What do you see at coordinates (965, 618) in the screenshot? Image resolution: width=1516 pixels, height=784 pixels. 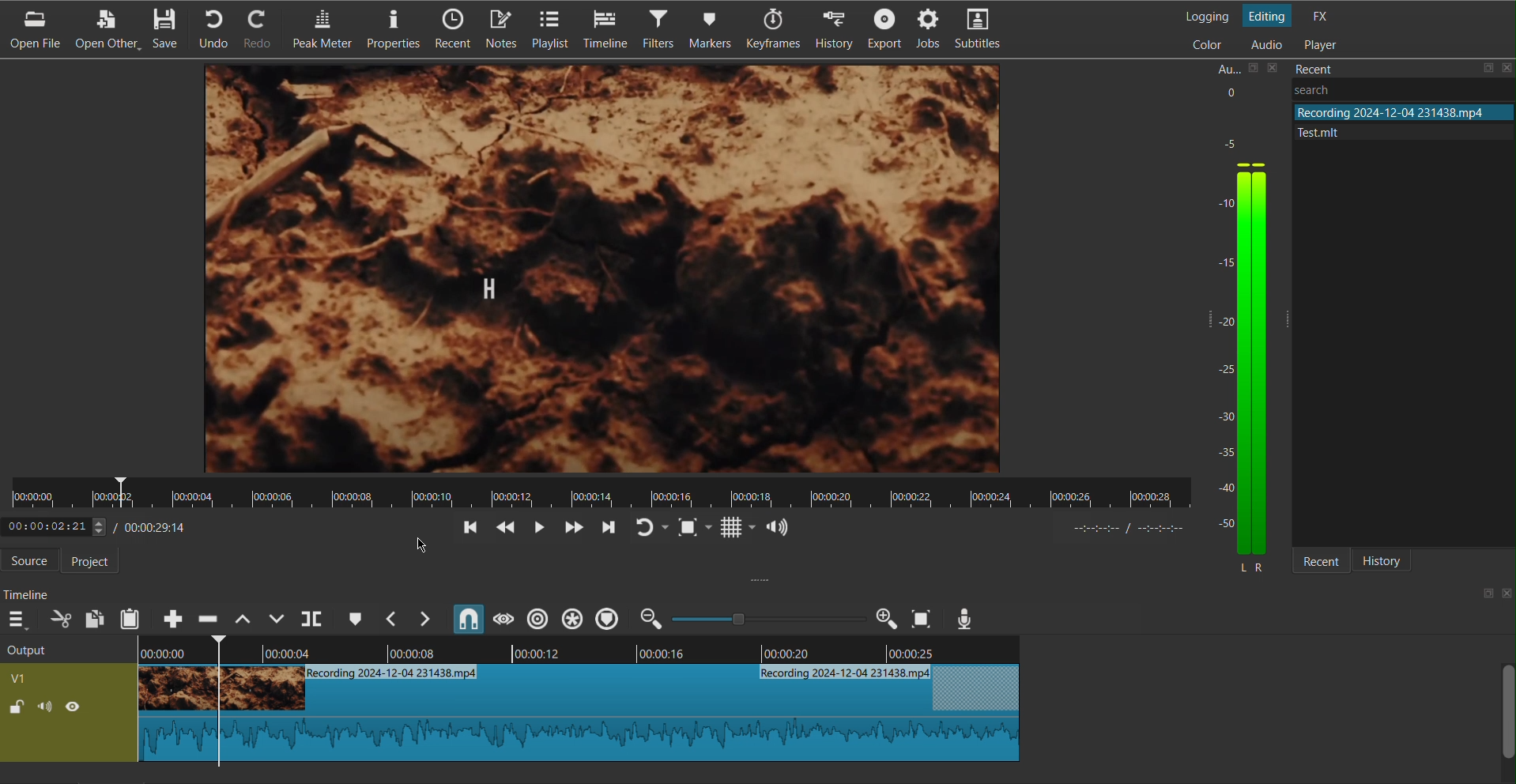 I see `Mic` at bounding box center [965, 618].